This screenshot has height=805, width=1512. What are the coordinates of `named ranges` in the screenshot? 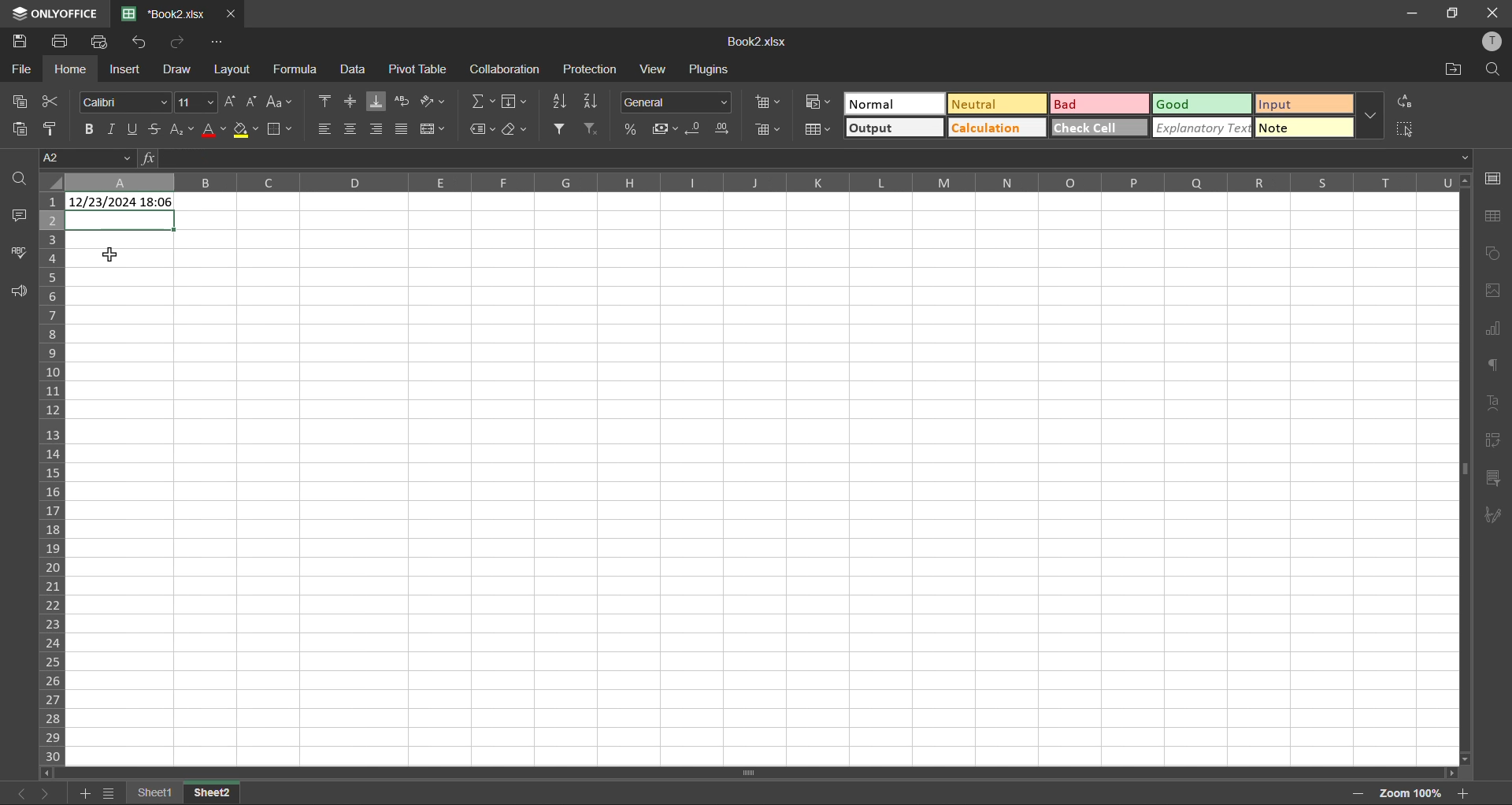 It's located at (482, 130).